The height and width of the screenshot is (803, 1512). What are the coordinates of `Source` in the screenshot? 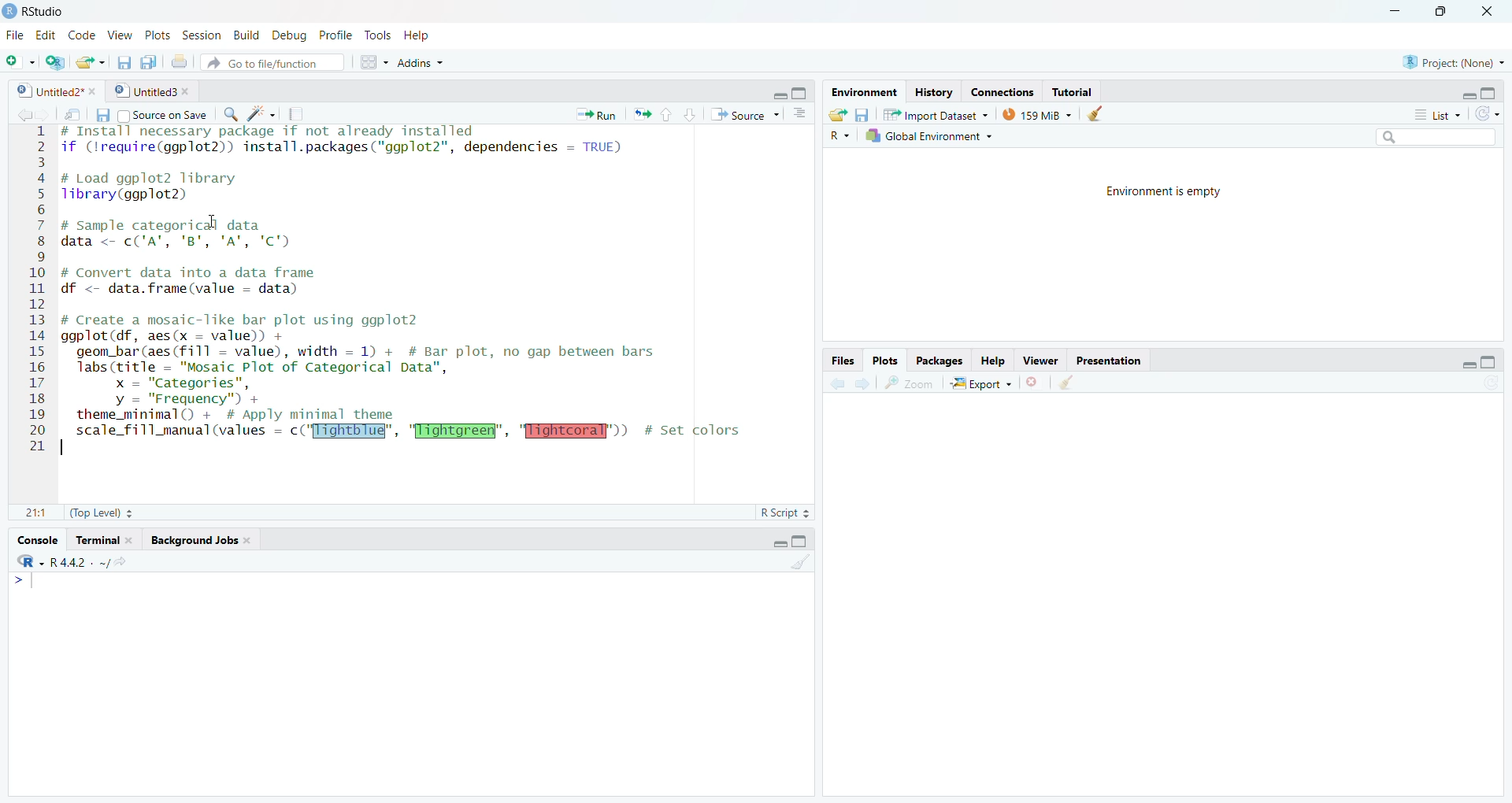 It's located at (743, 117).